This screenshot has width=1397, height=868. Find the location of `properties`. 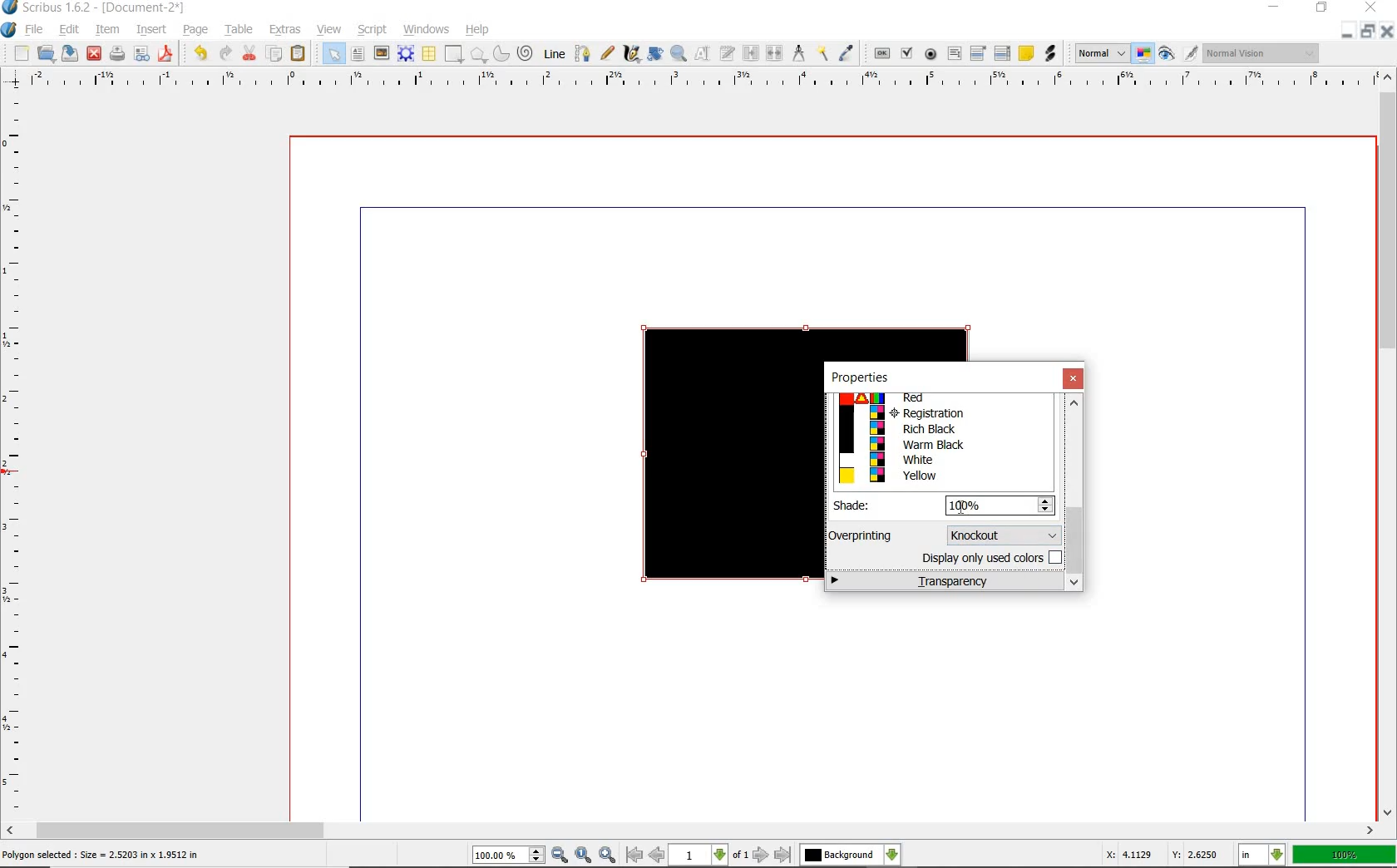

properties is located at coordinates (859, 377).